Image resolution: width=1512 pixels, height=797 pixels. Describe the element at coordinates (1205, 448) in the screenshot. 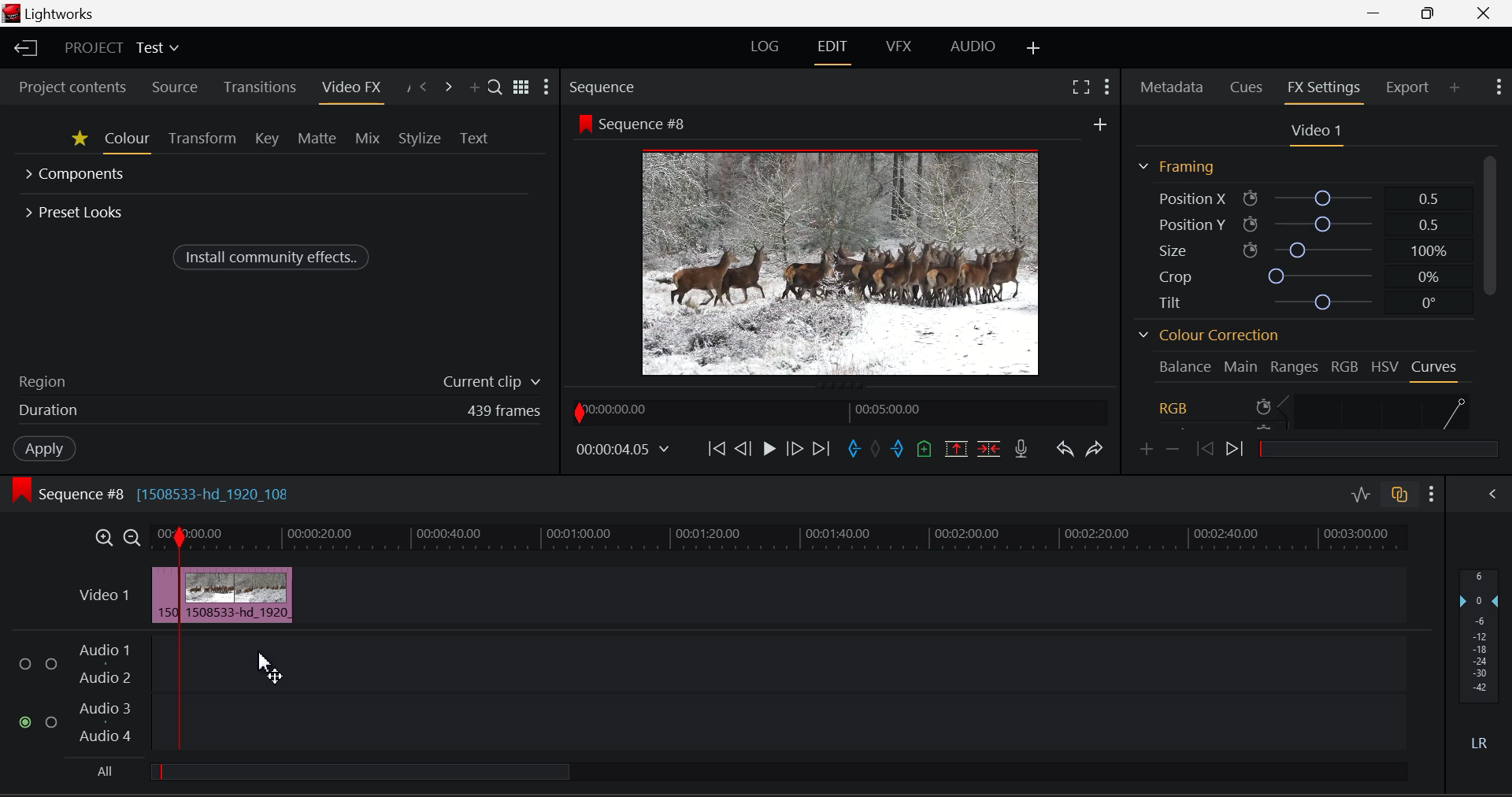

I see `Previous keyframe` at that location.